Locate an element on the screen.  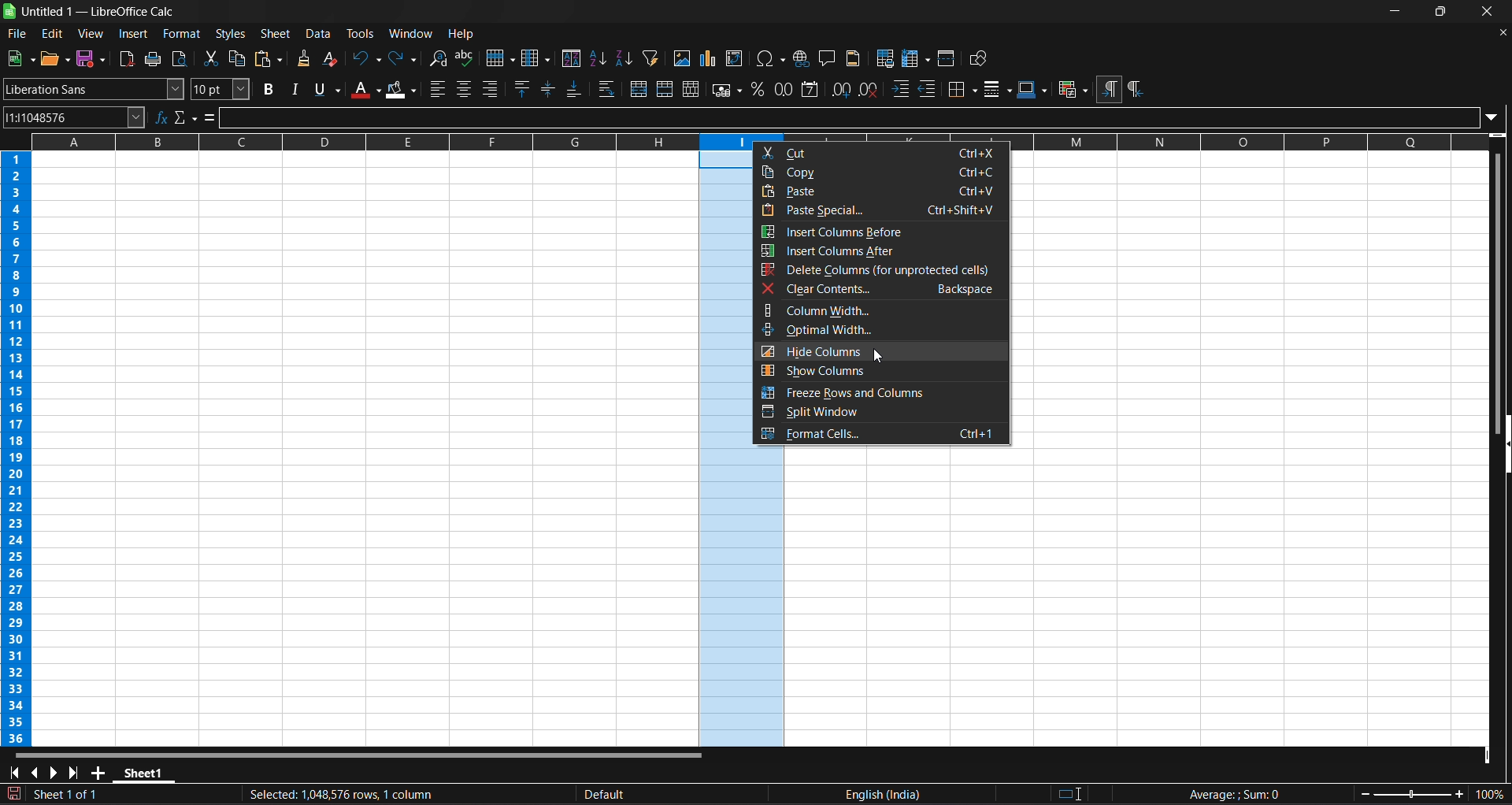
wrap text is located at coordinates (610, 89).